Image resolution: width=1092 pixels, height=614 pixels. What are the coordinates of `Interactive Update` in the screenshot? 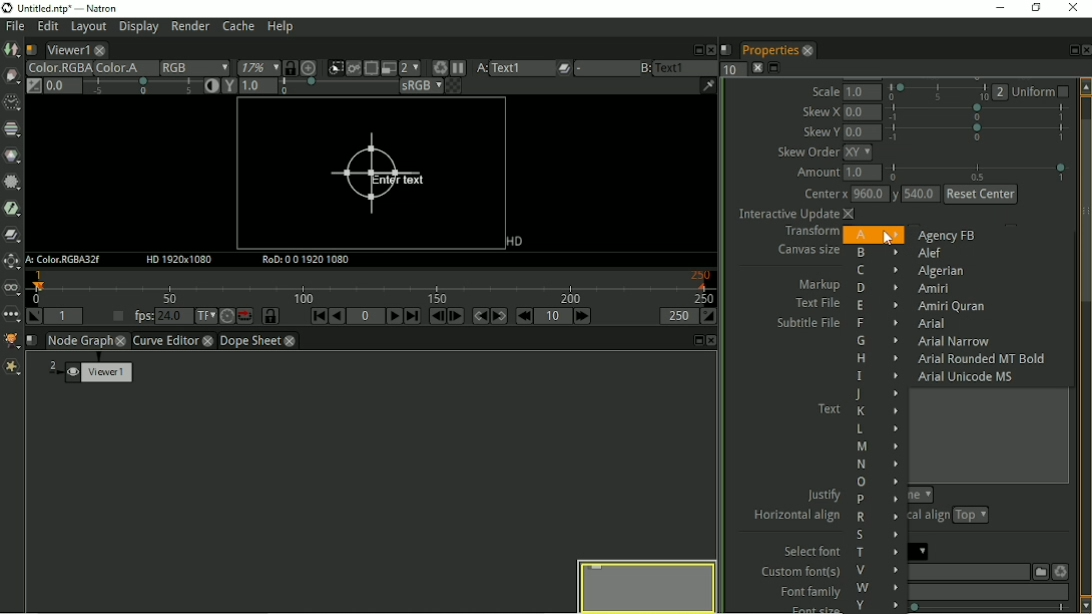 It's located at (794, 215).